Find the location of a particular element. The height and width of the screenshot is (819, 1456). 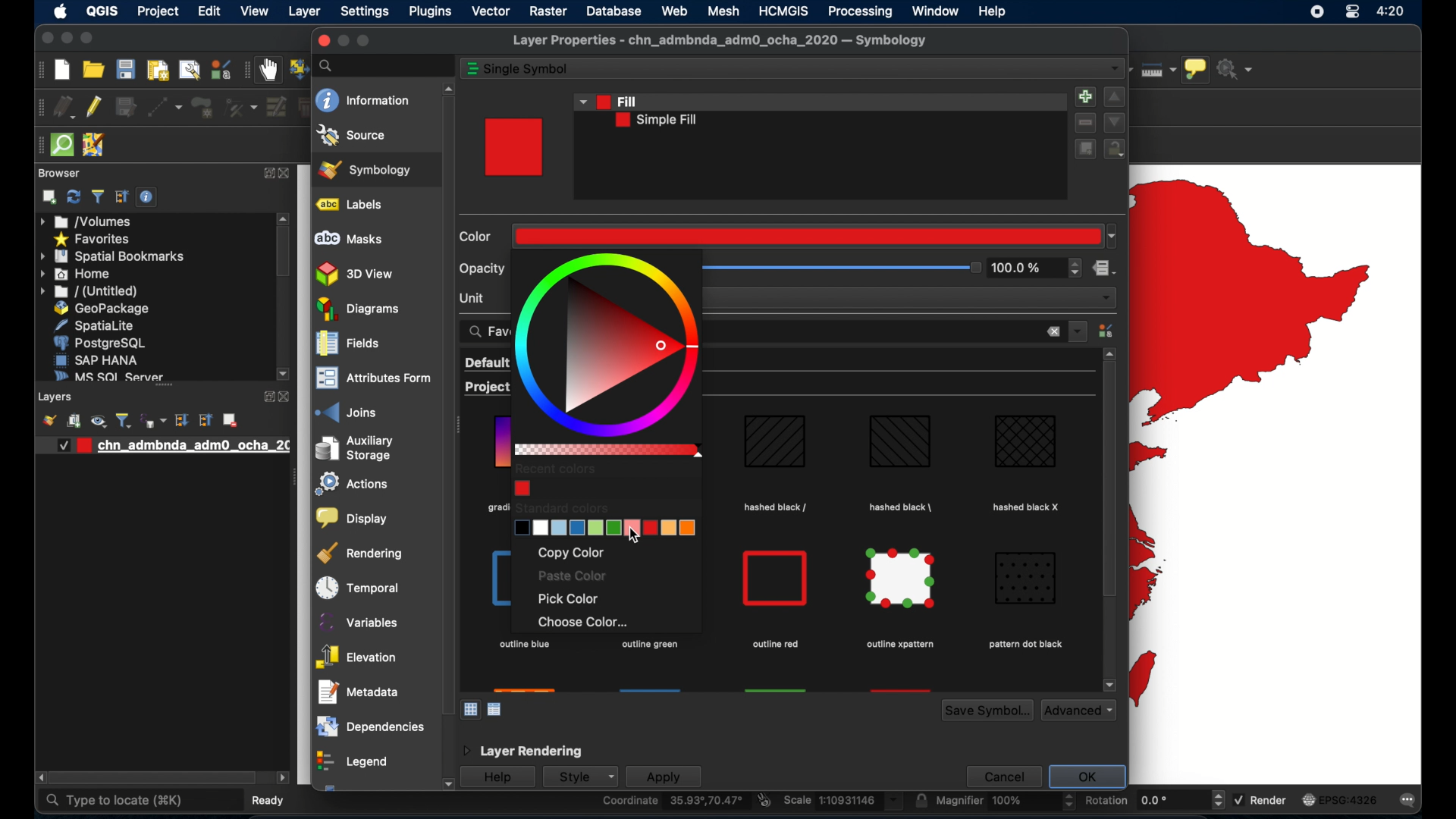

view is located at coordinates (255, 13).